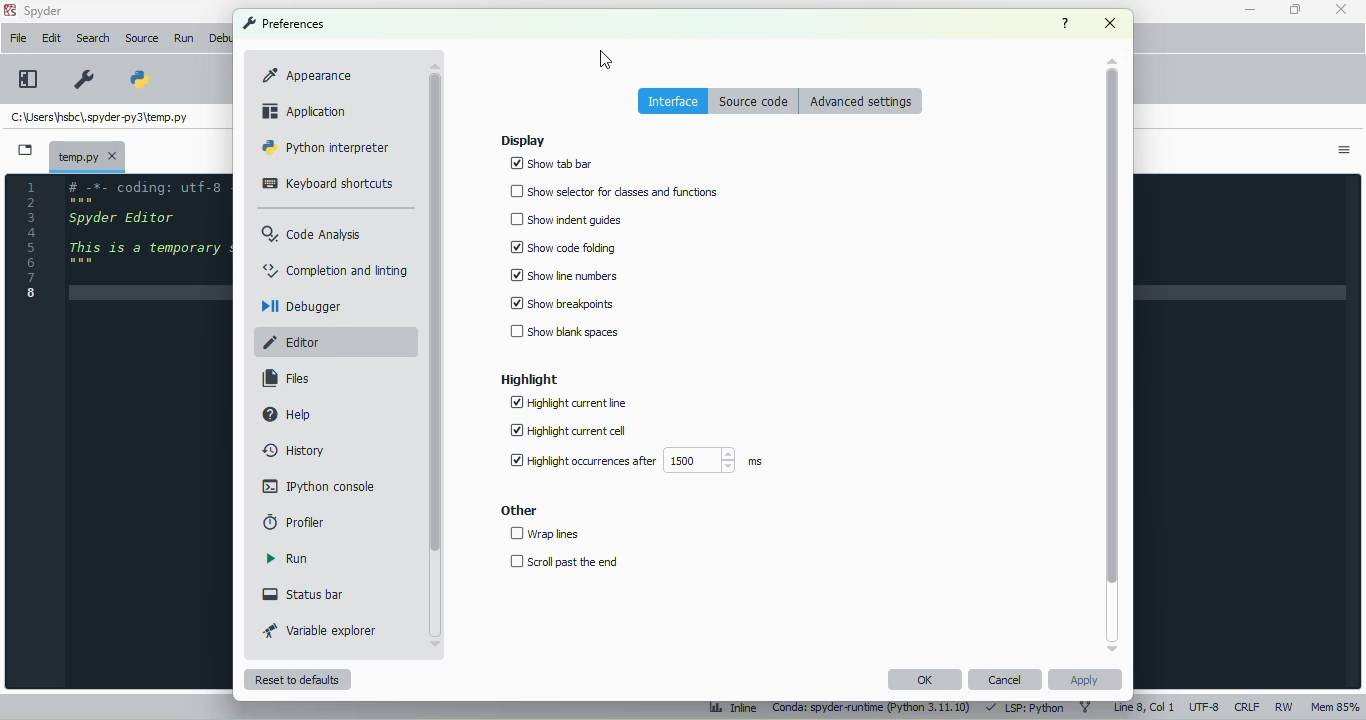  Describe the element at coordinates (324, 146) in the screenshot. I see `python interpreter` at that location.